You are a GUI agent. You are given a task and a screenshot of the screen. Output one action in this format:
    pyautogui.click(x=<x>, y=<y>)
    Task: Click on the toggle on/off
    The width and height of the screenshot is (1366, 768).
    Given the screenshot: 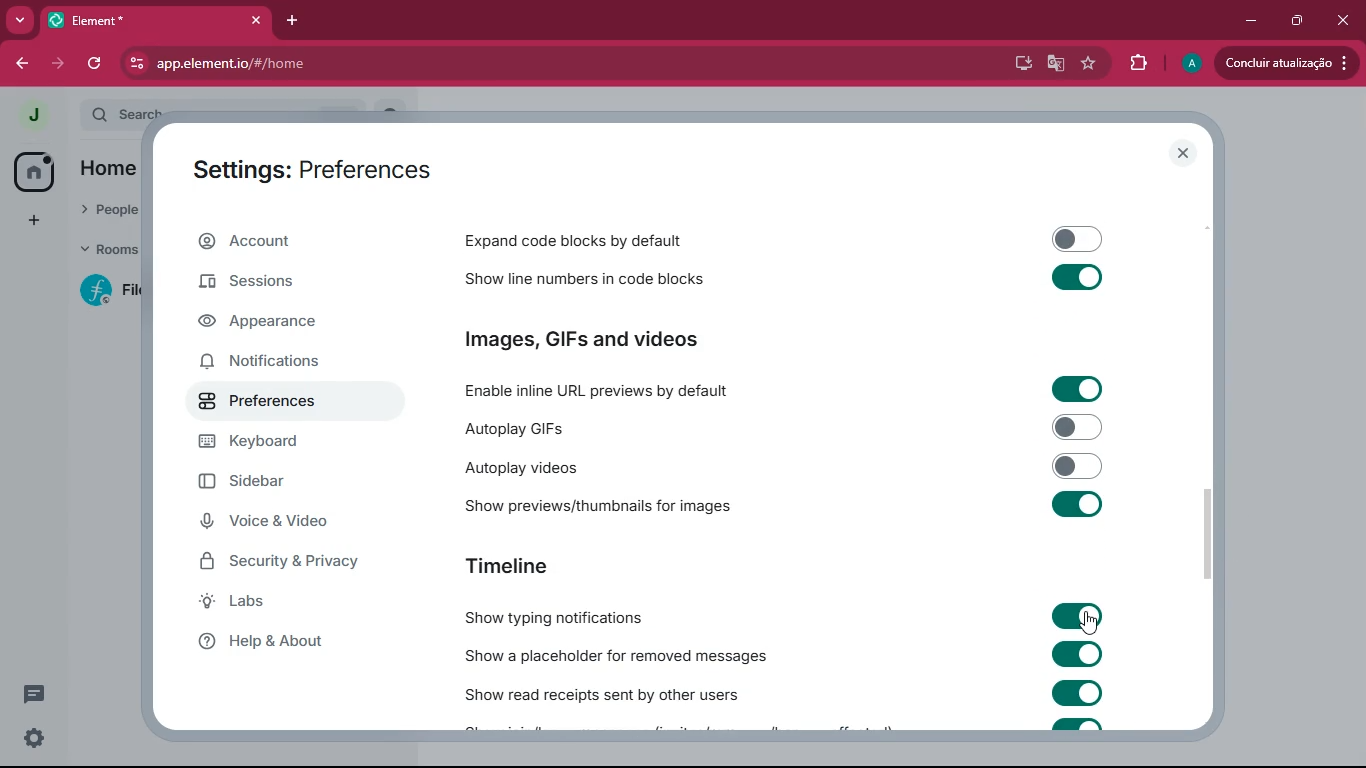 What is the action you would take?
    pyautogui.click(x=1079, y=692)
    